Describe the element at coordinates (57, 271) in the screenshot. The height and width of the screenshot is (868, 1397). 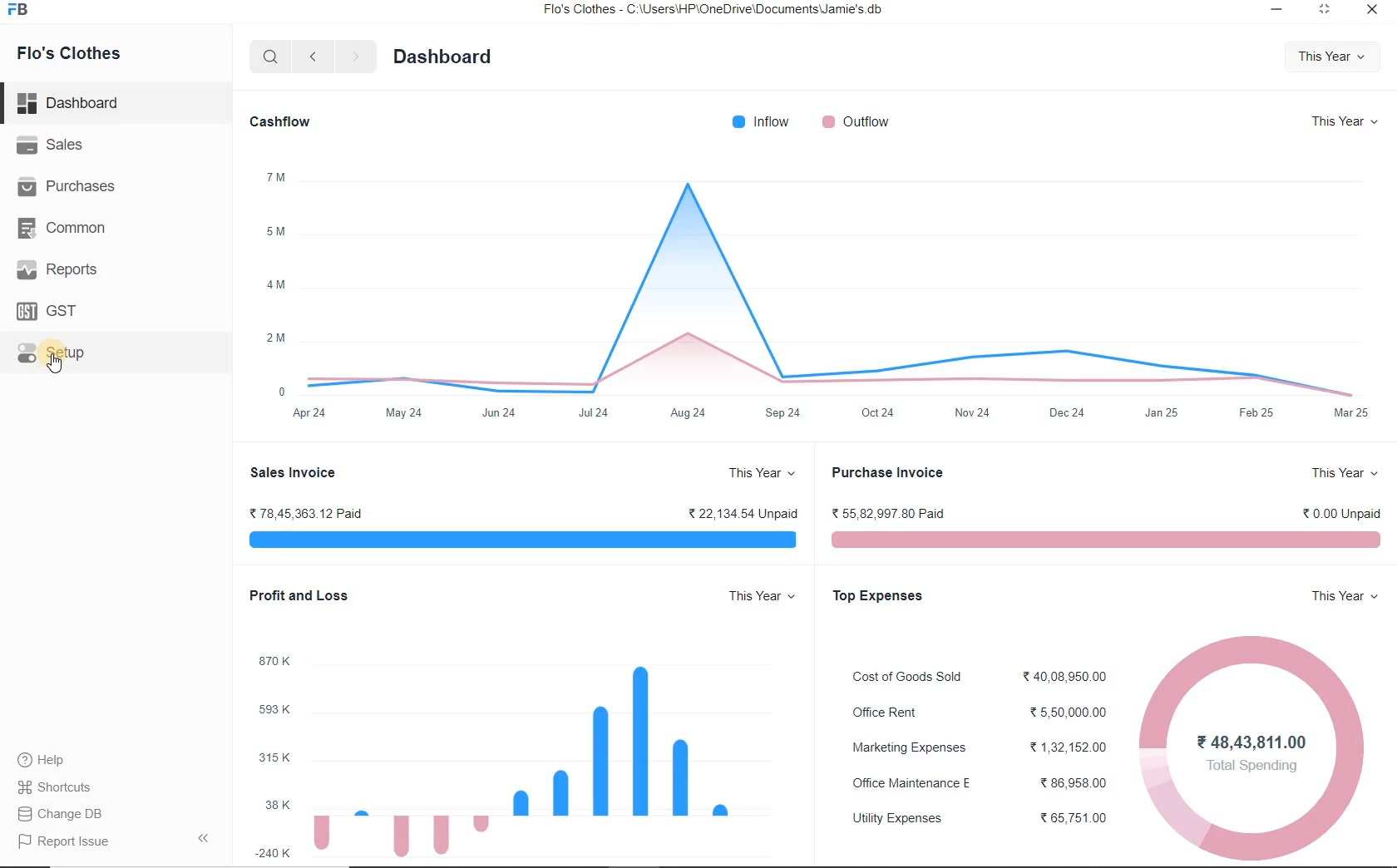
I see `Reports` at that location.